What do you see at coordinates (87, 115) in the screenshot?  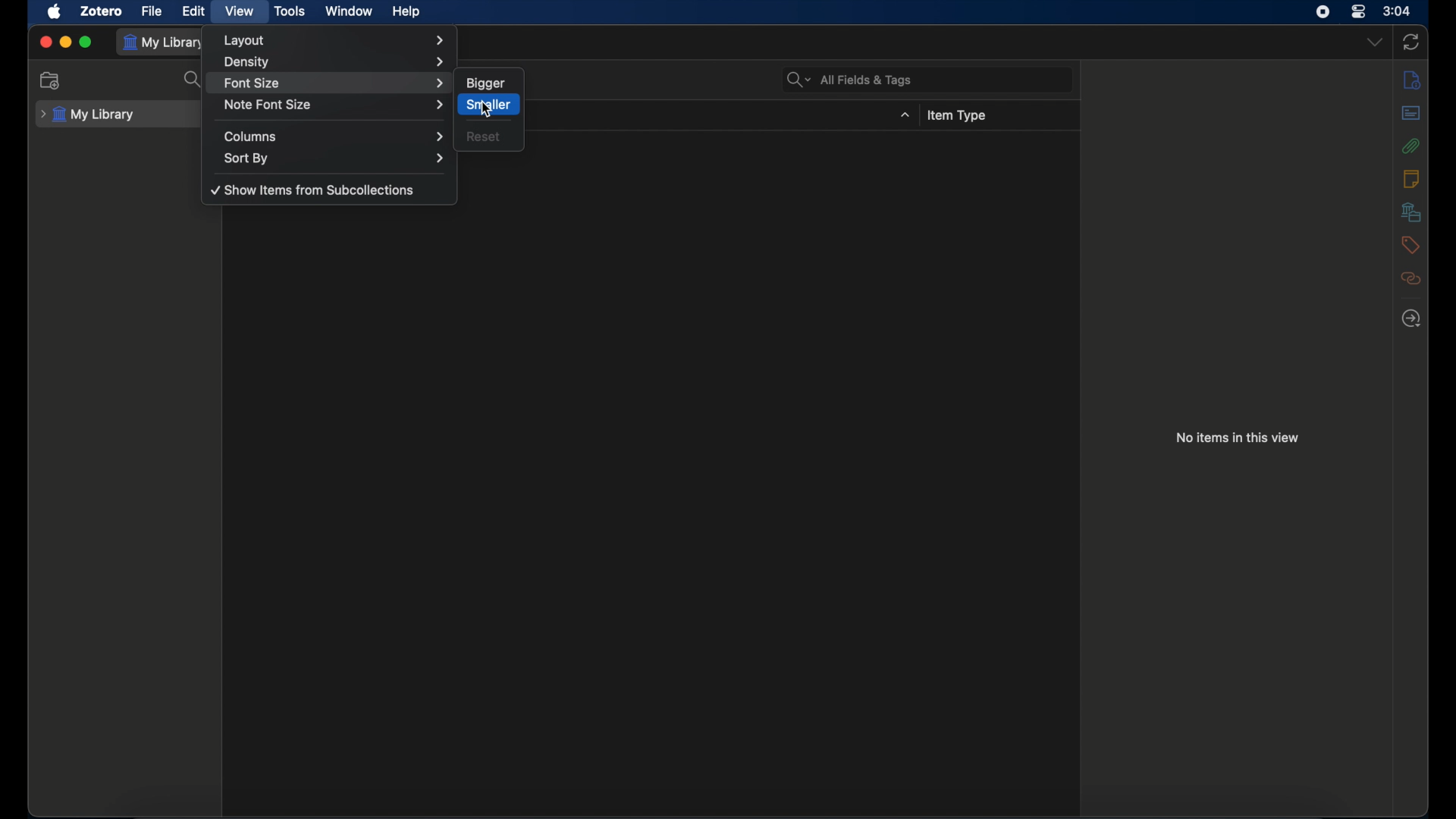 I see `my library` at bounding box center [87, 115].